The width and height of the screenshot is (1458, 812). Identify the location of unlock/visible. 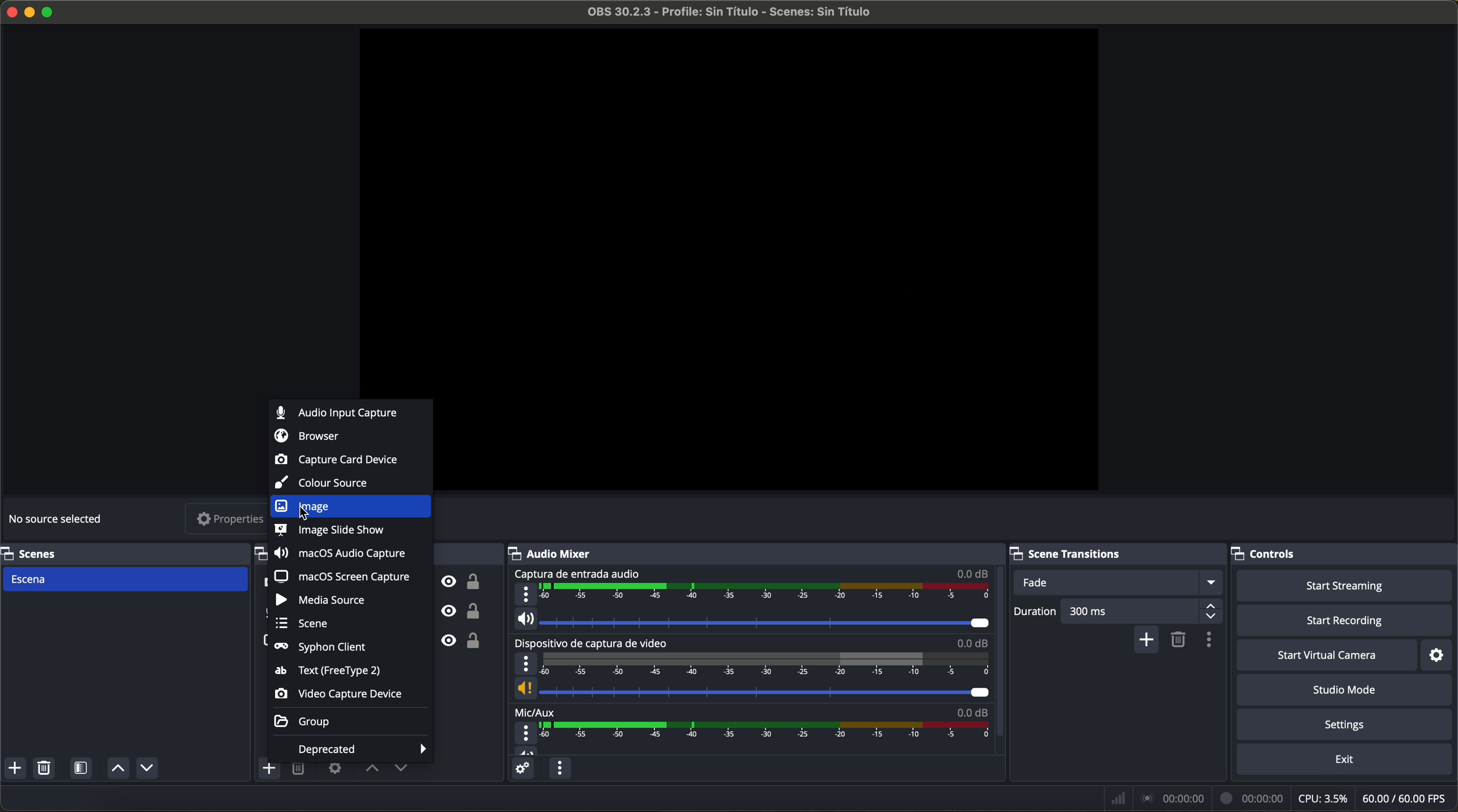
(463, 615).